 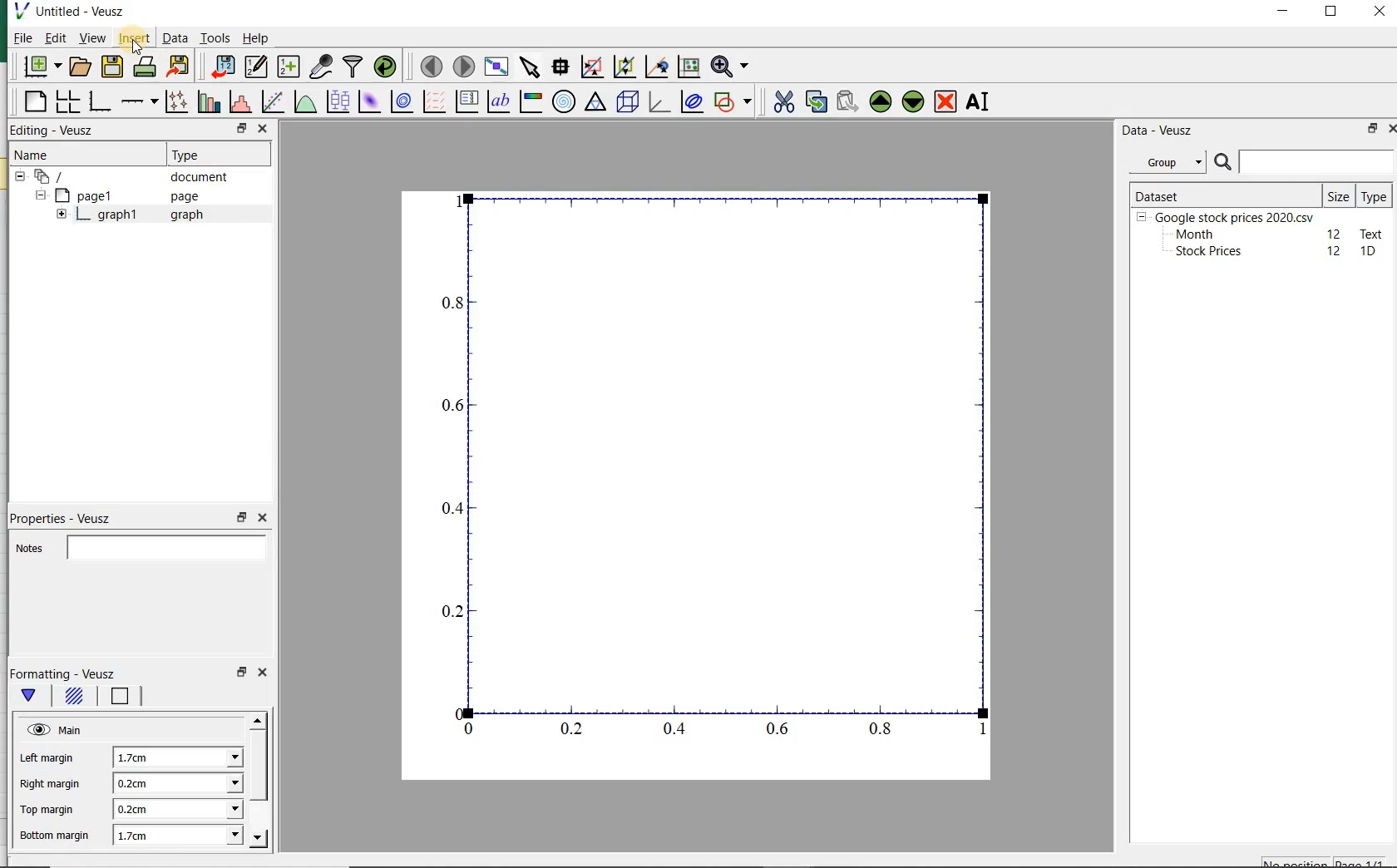 I want to click on edit and enter new datasets, so click(x=255, y=67).